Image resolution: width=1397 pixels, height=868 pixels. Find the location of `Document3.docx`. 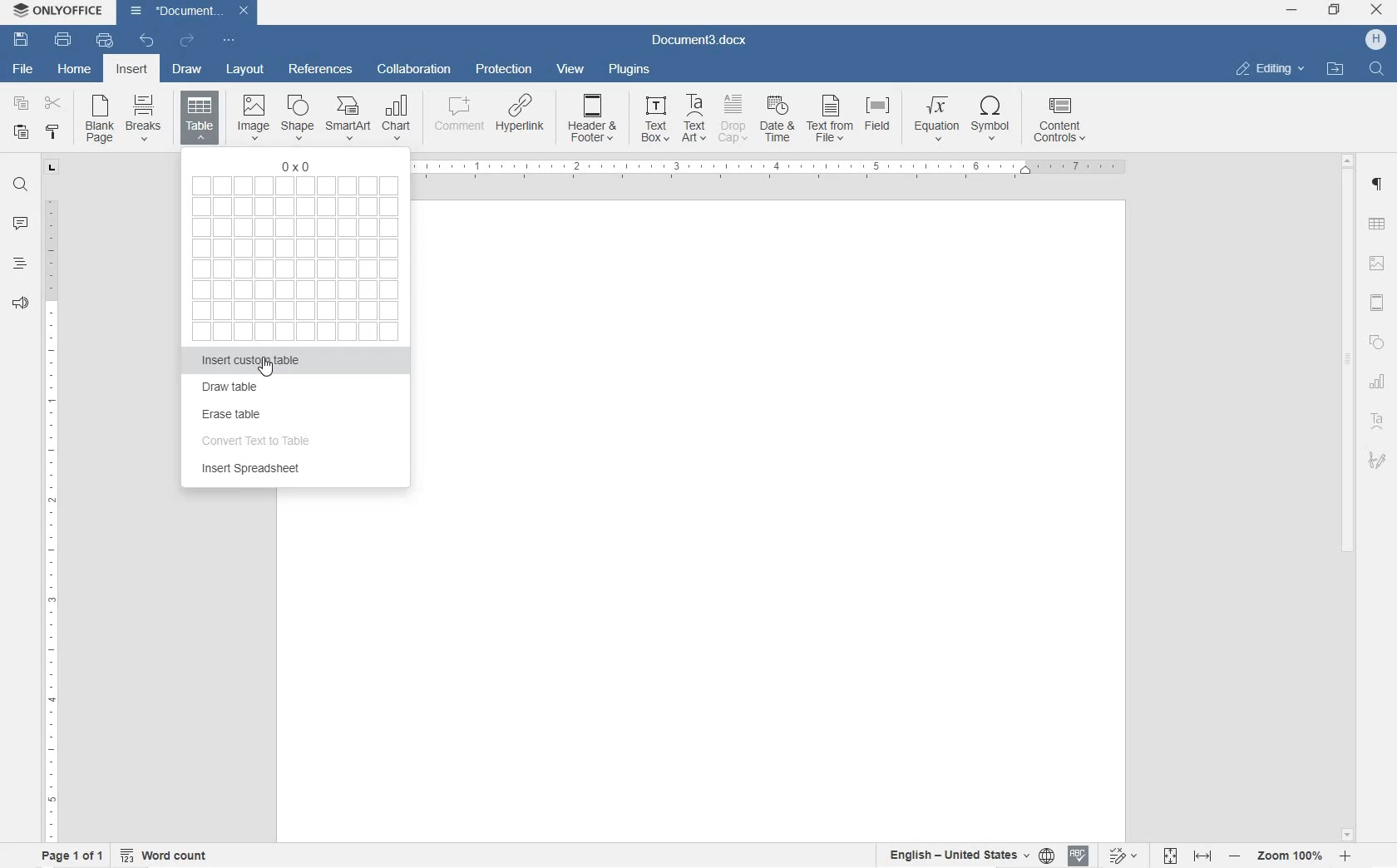

Document3.docx is located at coordinates (700, 38).